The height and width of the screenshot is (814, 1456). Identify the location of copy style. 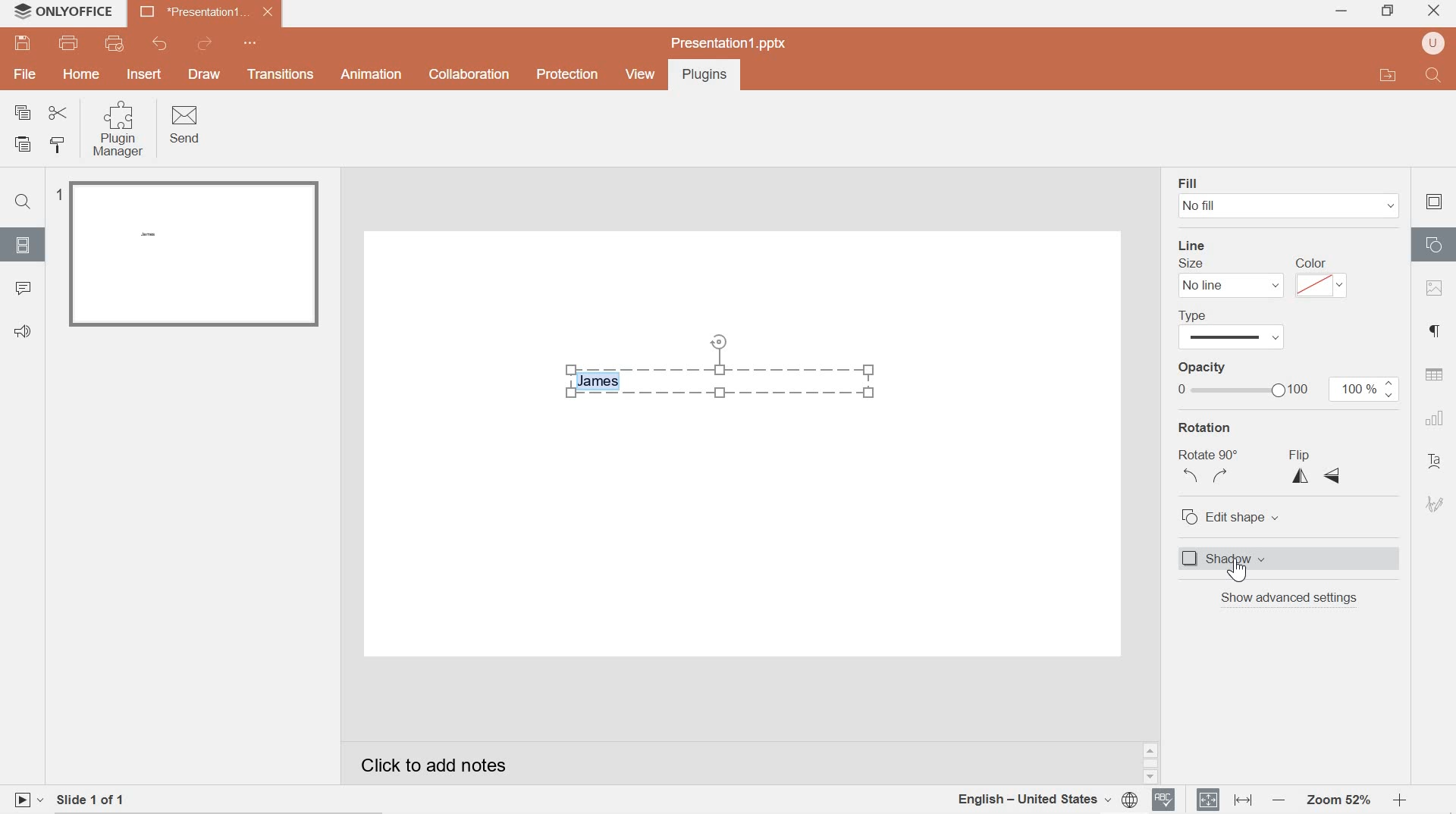
(62, 146).